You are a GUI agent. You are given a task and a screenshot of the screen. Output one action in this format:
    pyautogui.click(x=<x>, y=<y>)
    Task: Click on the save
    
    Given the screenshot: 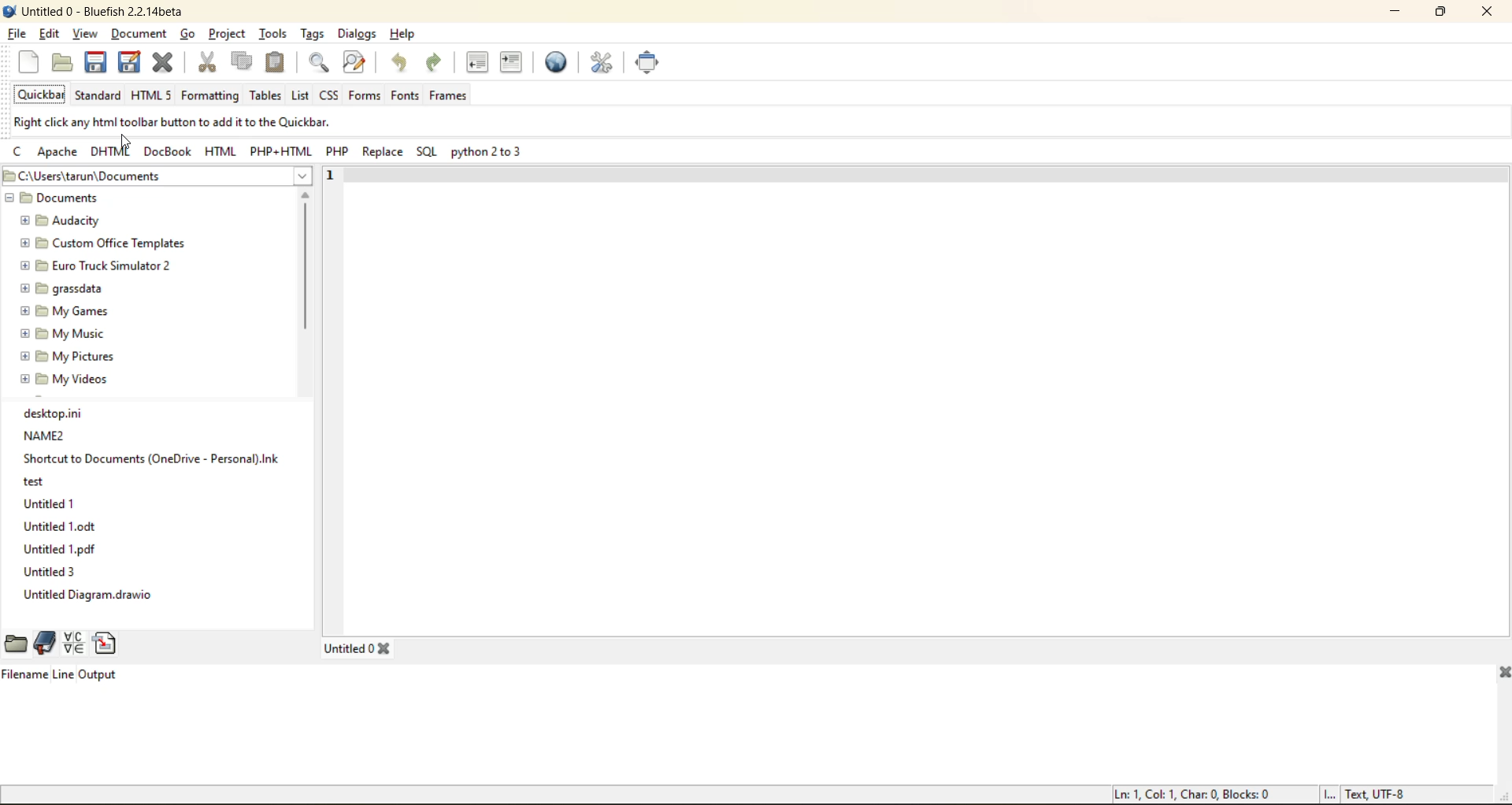 What is the action you would take?
    pyautogui.click(x=97, y=61)
    